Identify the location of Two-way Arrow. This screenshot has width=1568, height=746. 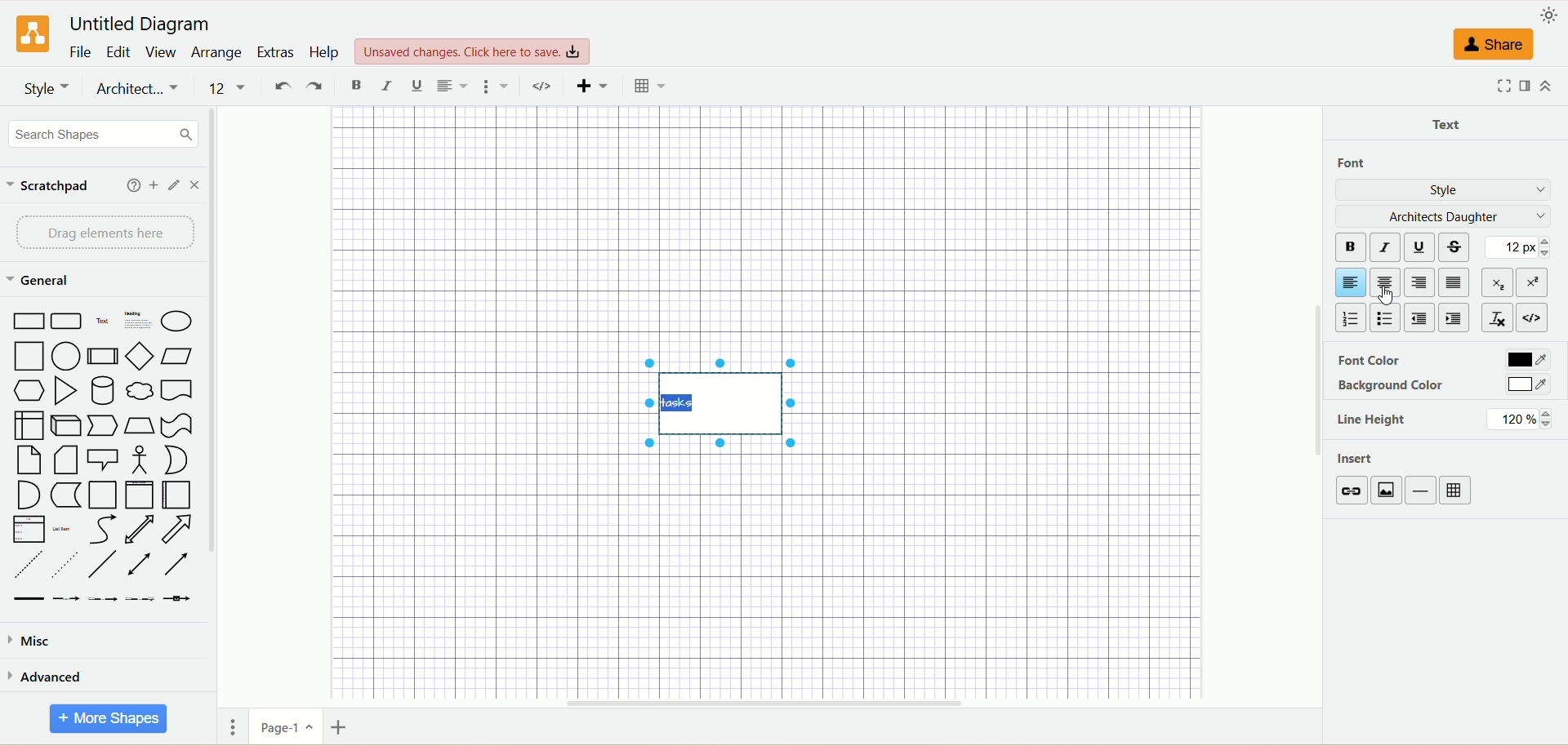
(140, 530).